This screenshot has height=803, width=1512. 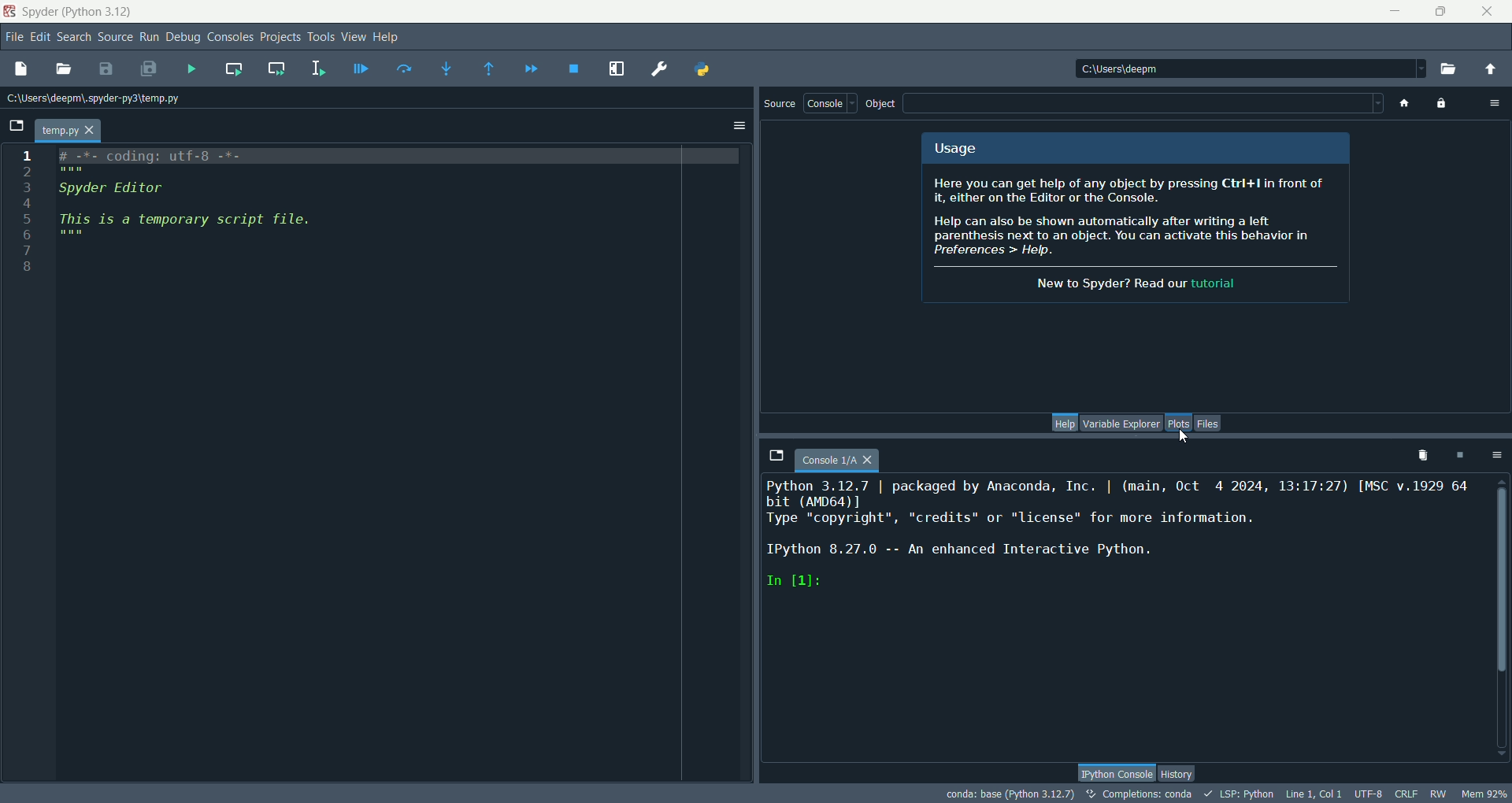 I want to click on interrupt kernel, so click(x=1462, y=454).